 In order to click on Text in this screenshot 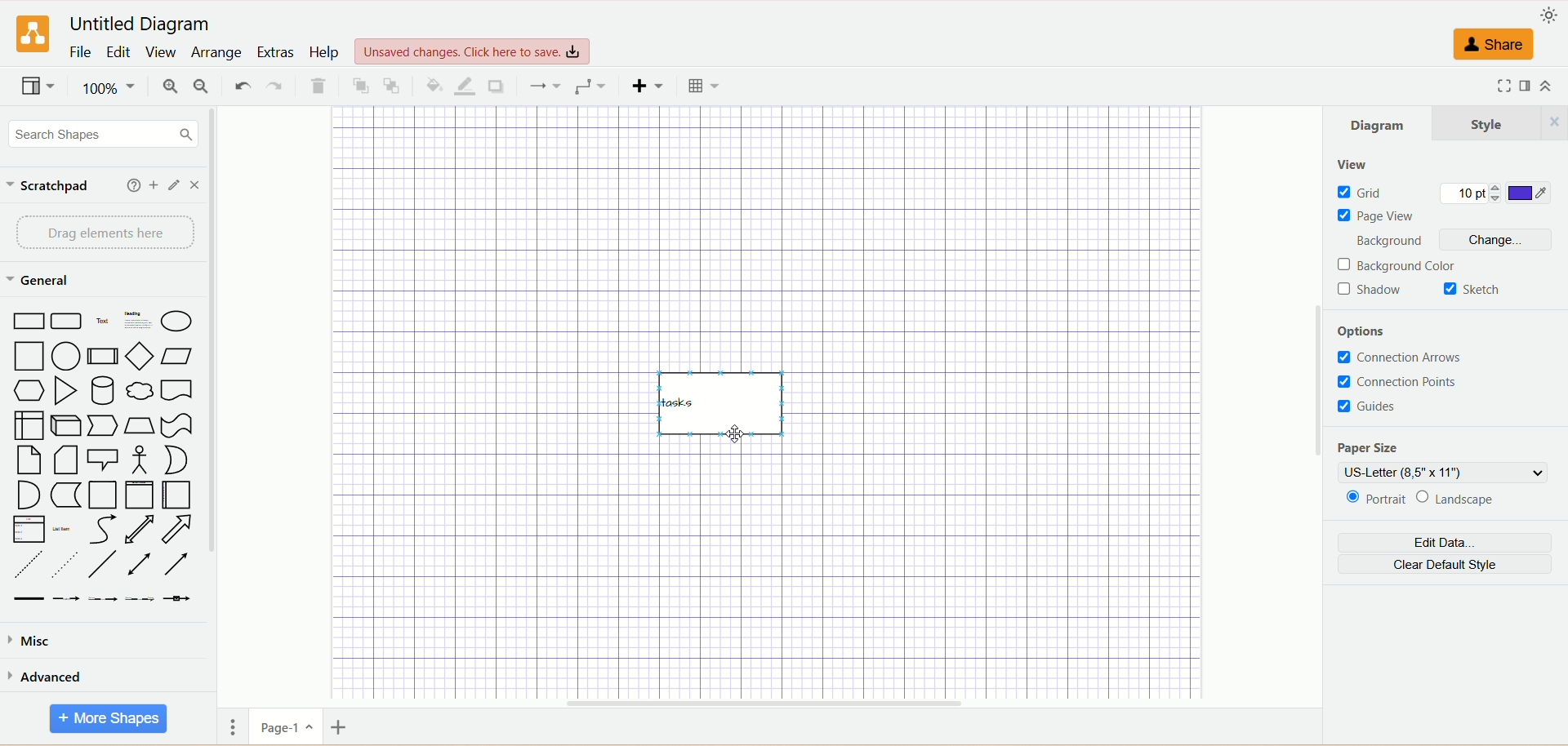, I will do `click(103, 321)`.